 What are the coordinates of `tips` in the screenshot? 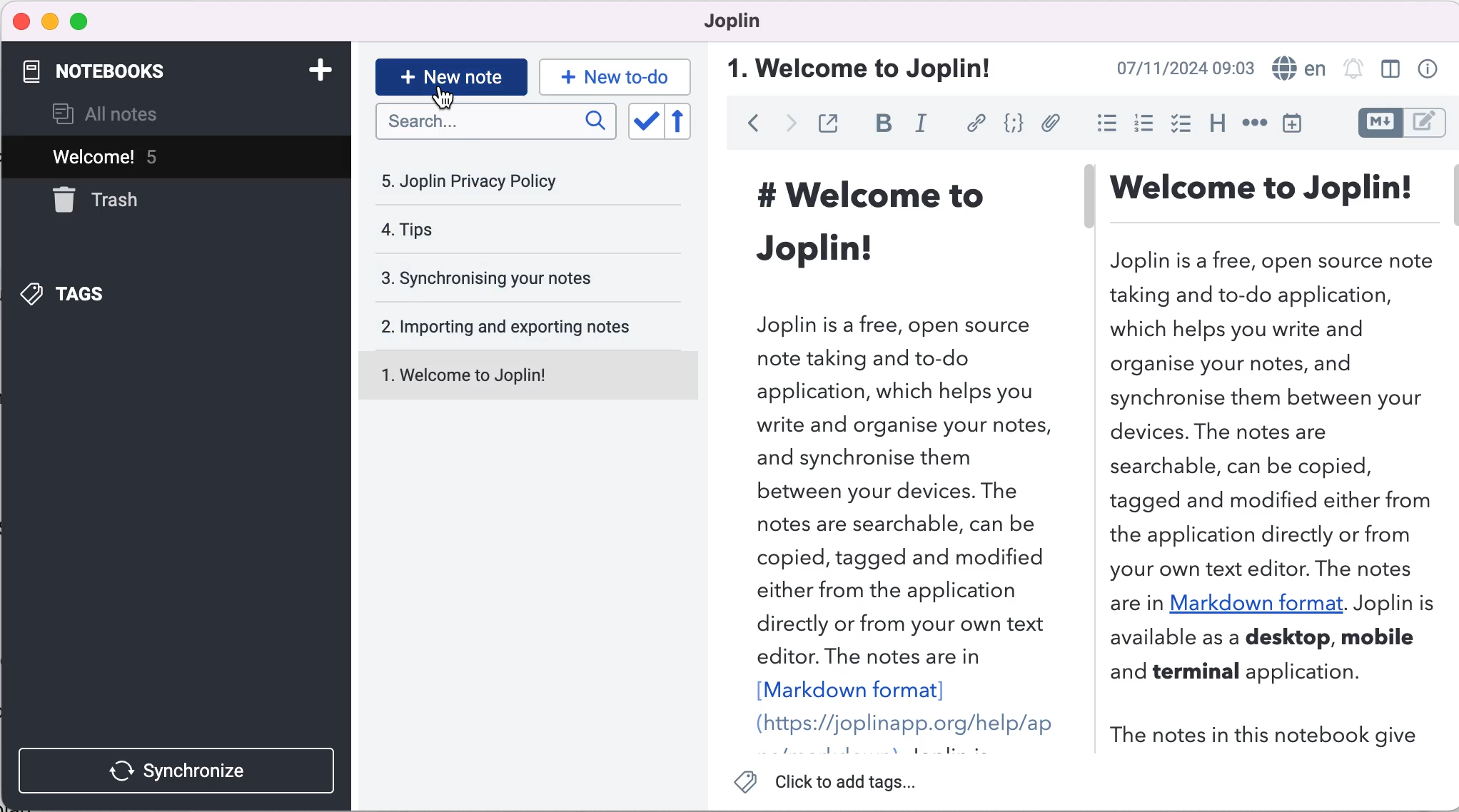 It's located at (468, 230).